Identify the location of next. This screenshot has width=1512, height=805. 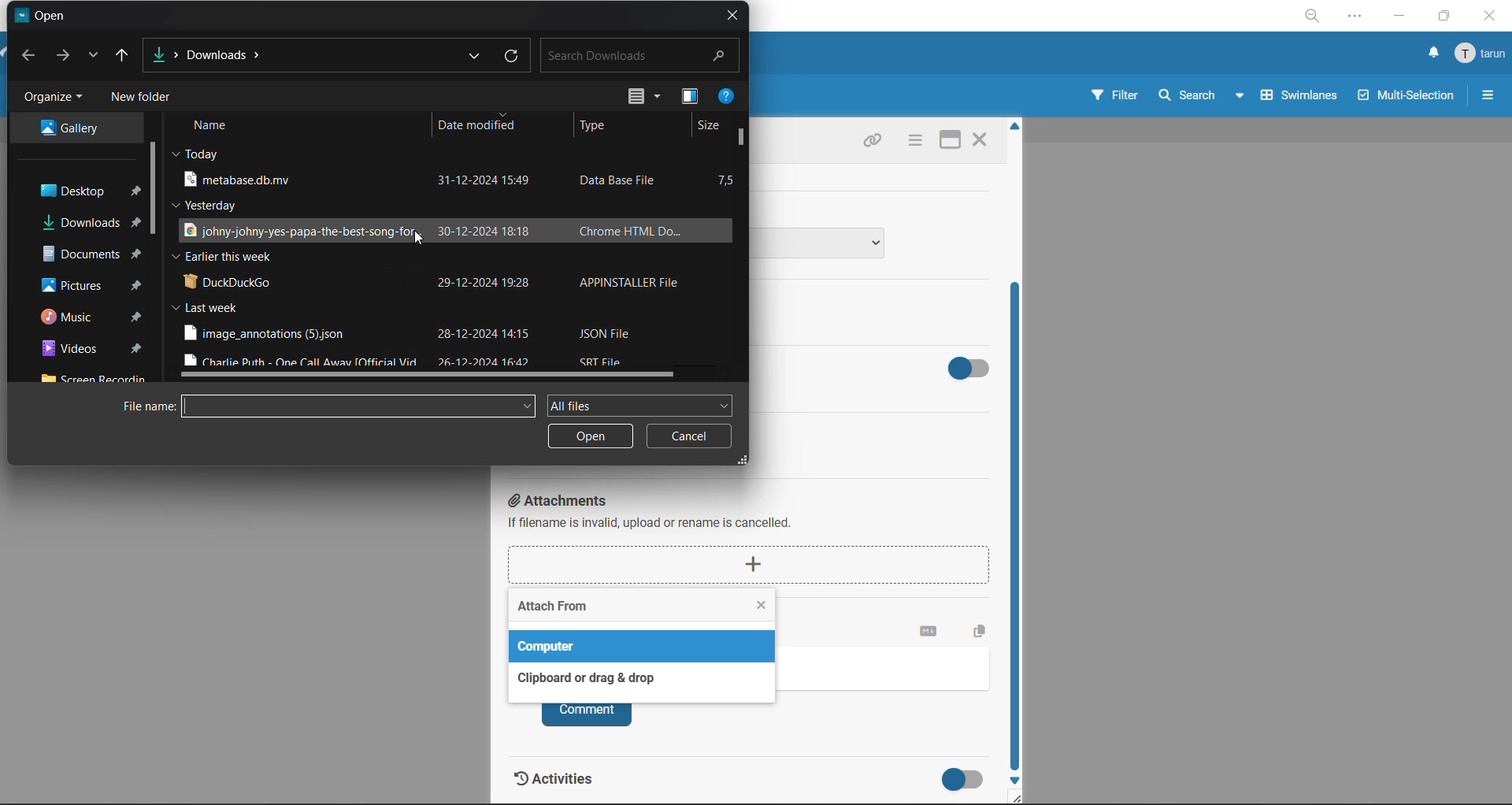
(65, 57).